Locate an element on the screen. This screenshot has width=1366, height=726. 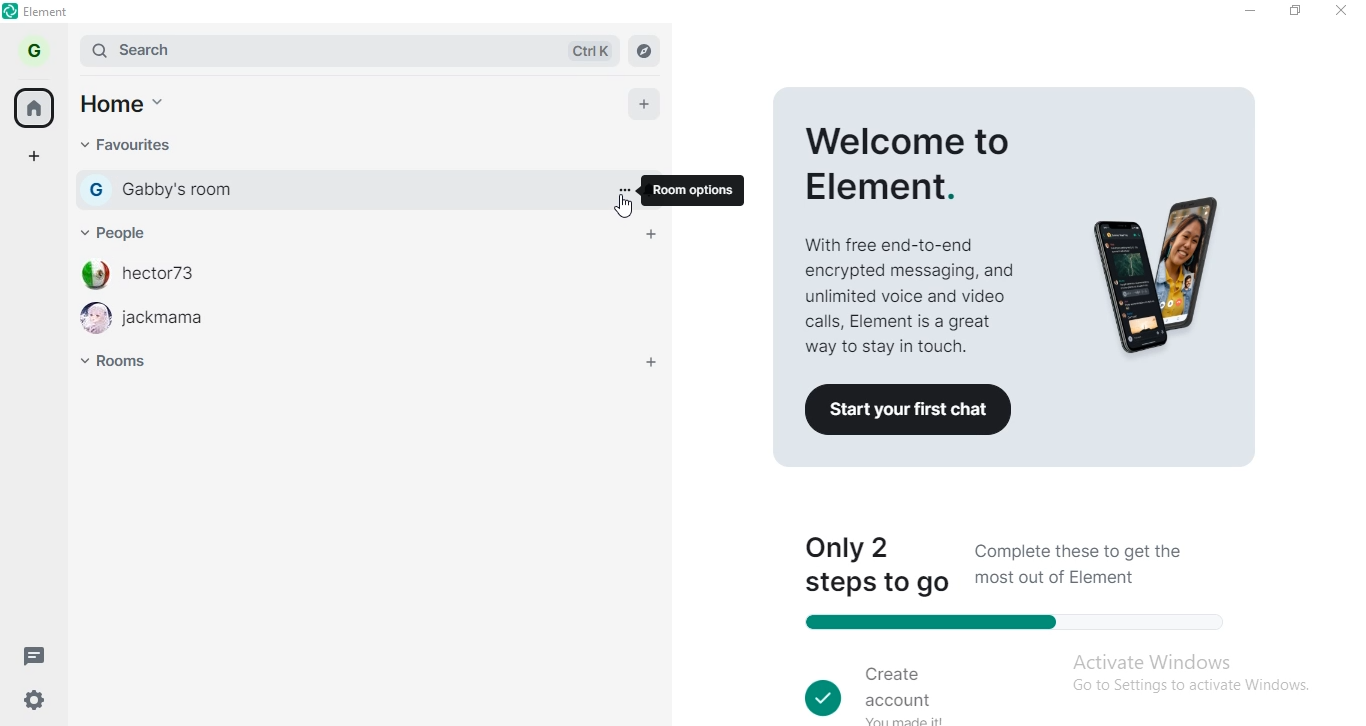
add space is located at coordinates (39, 160).